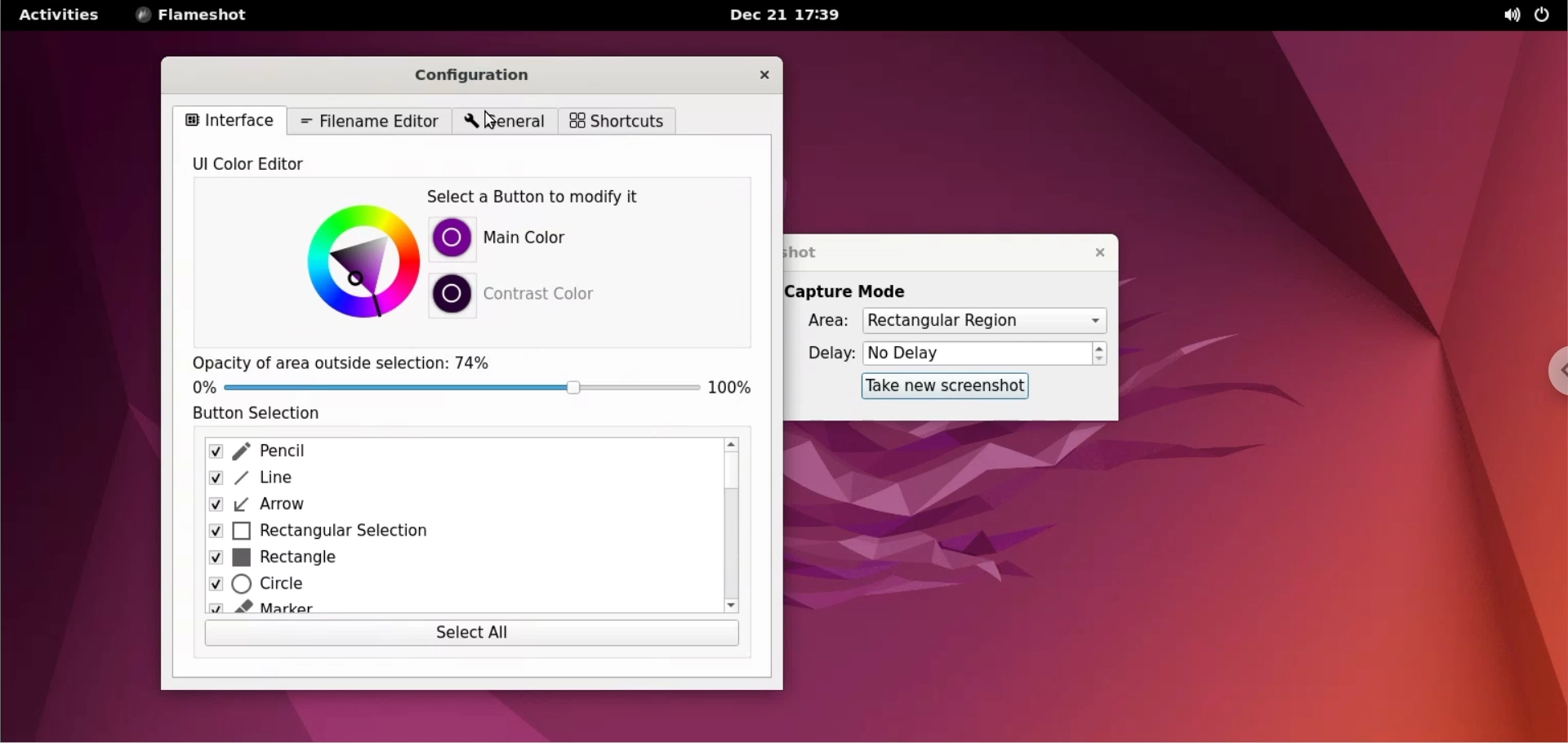 The height and width of the screenshot is (743, 1568). What do you see at coordinates (60, 14) in the screenshot?
I see `activities` at bounding box center [60, 14].